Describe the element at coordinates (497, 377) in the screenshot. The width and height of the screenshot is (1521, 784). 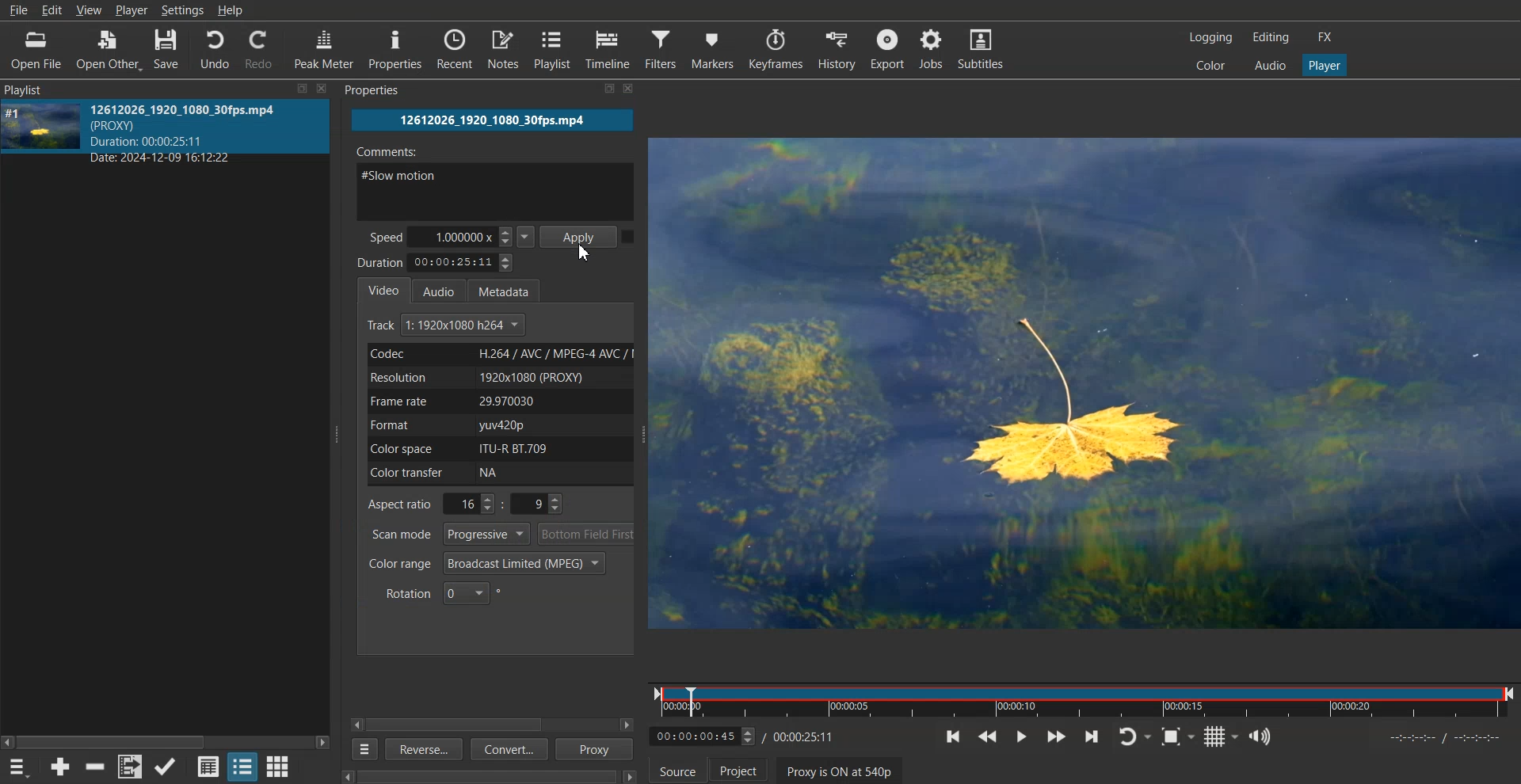
I see `Resolution` at that location.